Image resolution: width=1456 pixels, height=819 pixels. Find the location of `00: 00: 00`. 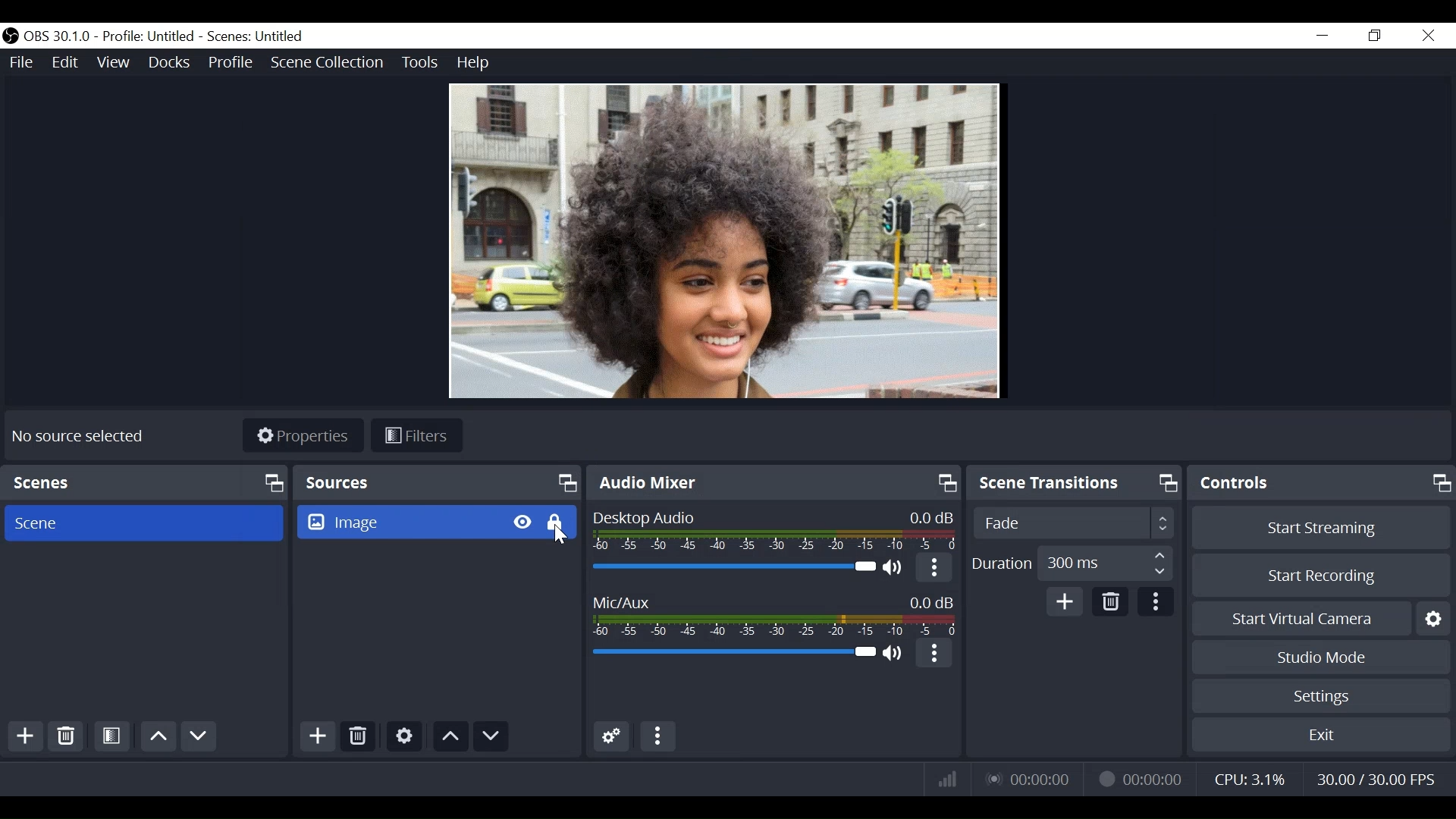

00: 00: 00 is located at coordinates (1031, 779).